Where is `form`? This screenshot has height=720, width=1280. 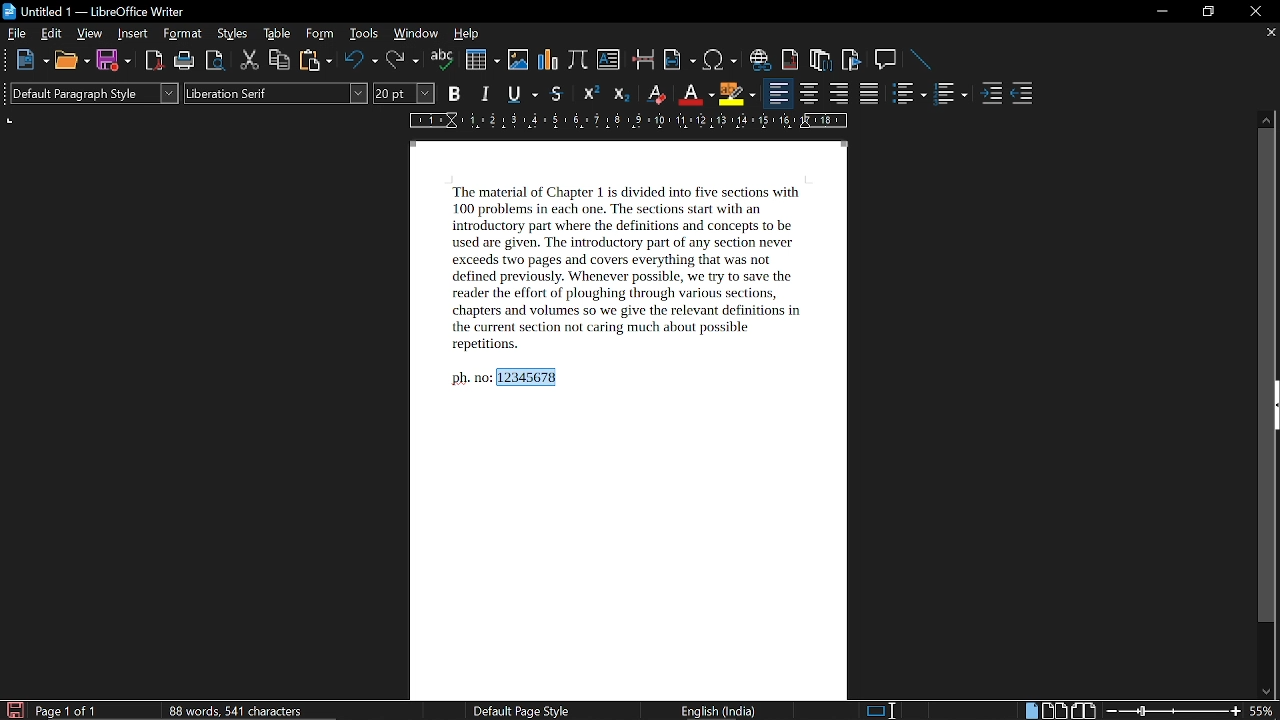 form is located at coordinates (322, 35).